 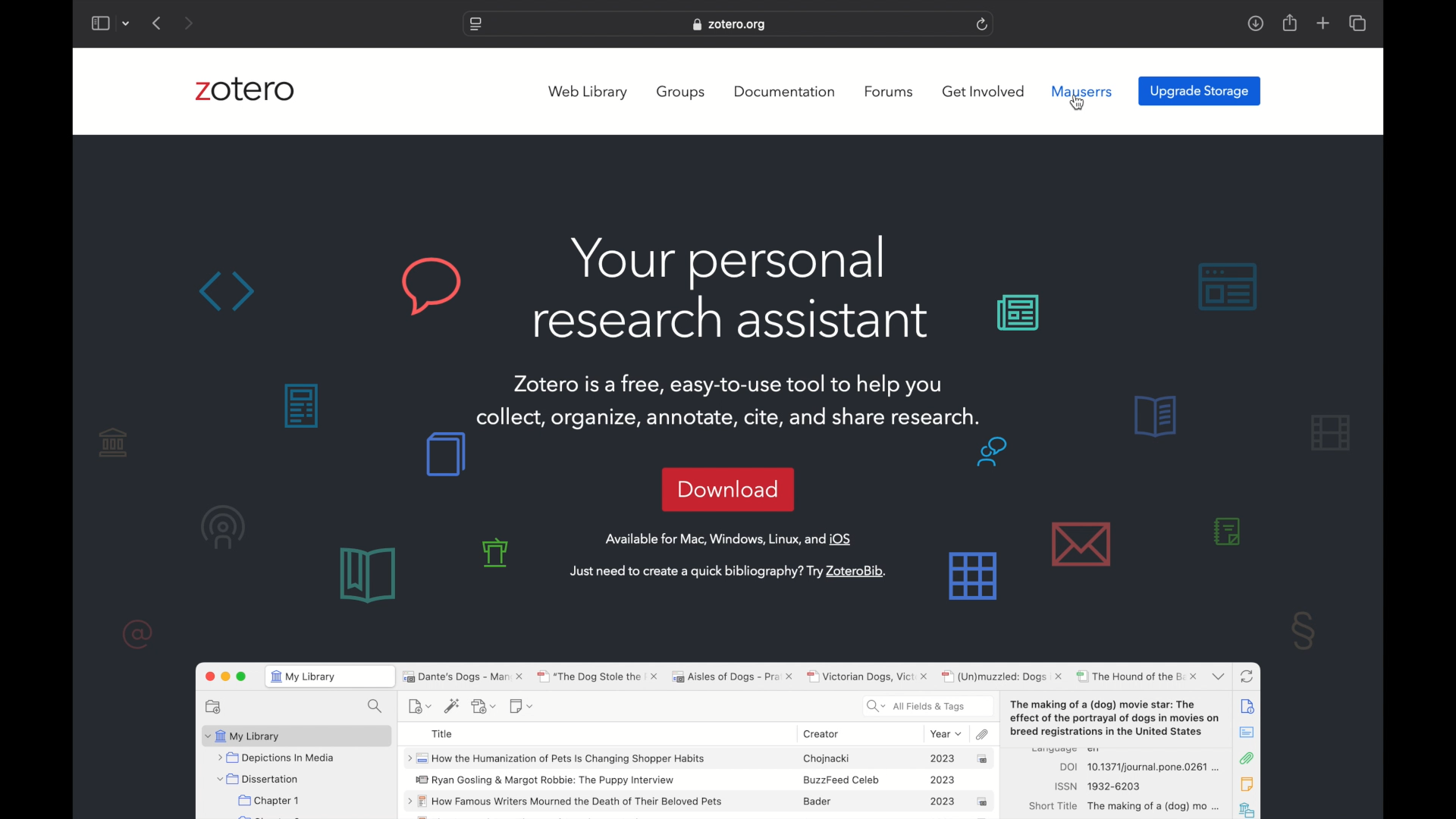 I want to click on get involved, so click(x=984, y=91).